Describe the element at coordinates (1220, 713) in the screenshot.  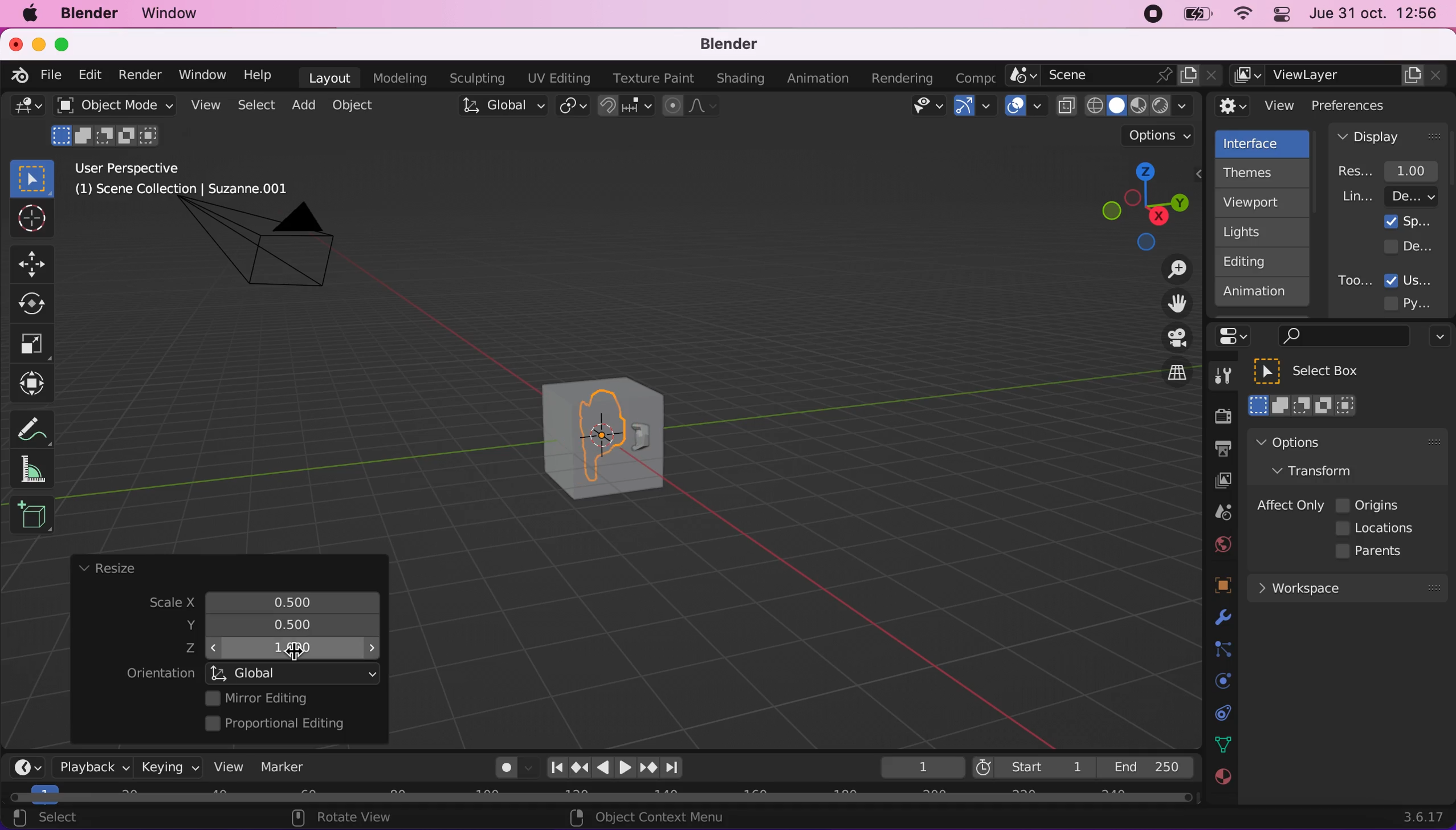
I see `collection` at that location.